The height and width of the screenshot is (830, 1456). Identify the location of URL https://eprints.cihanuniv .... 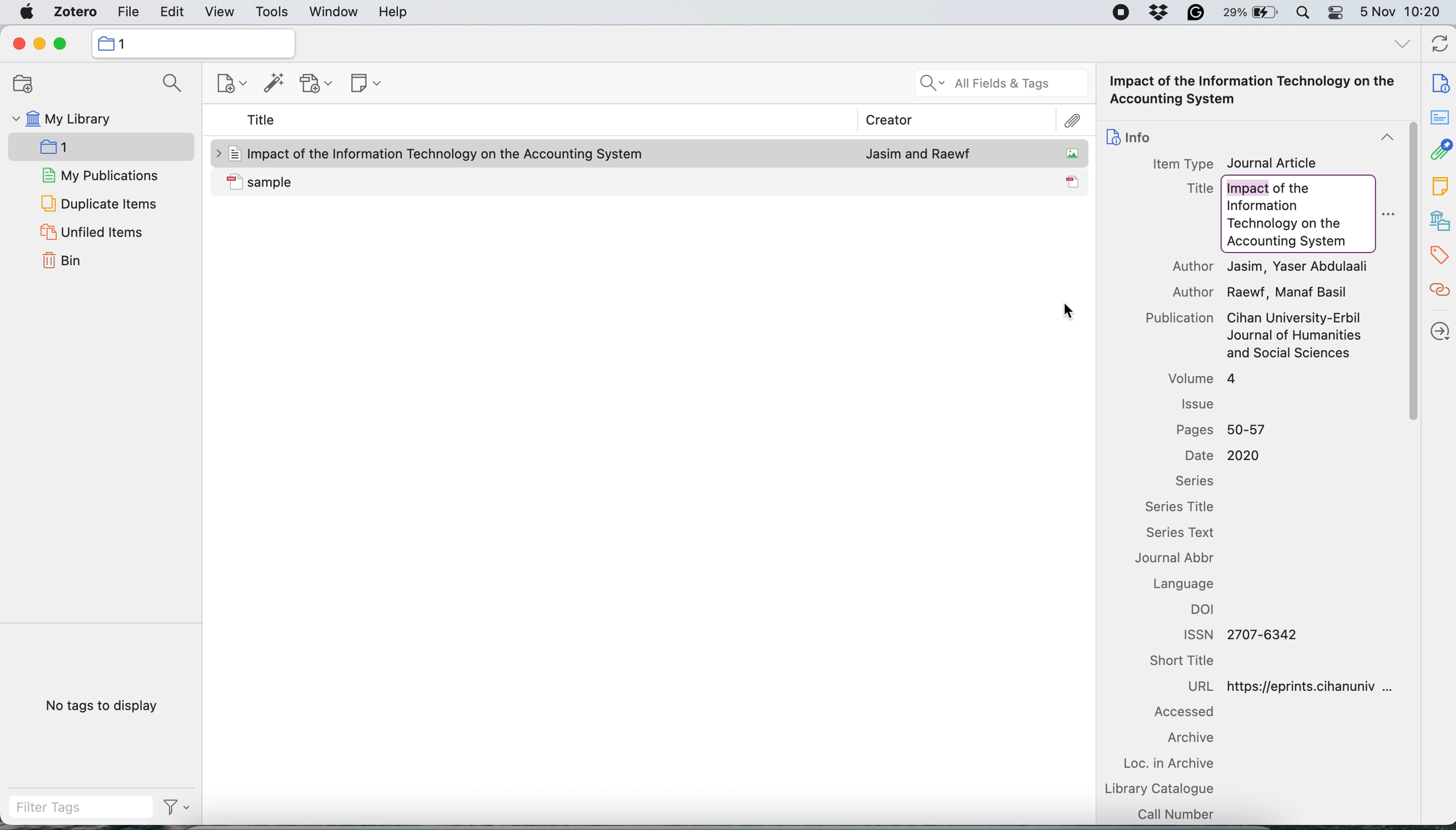
(1290, 686).